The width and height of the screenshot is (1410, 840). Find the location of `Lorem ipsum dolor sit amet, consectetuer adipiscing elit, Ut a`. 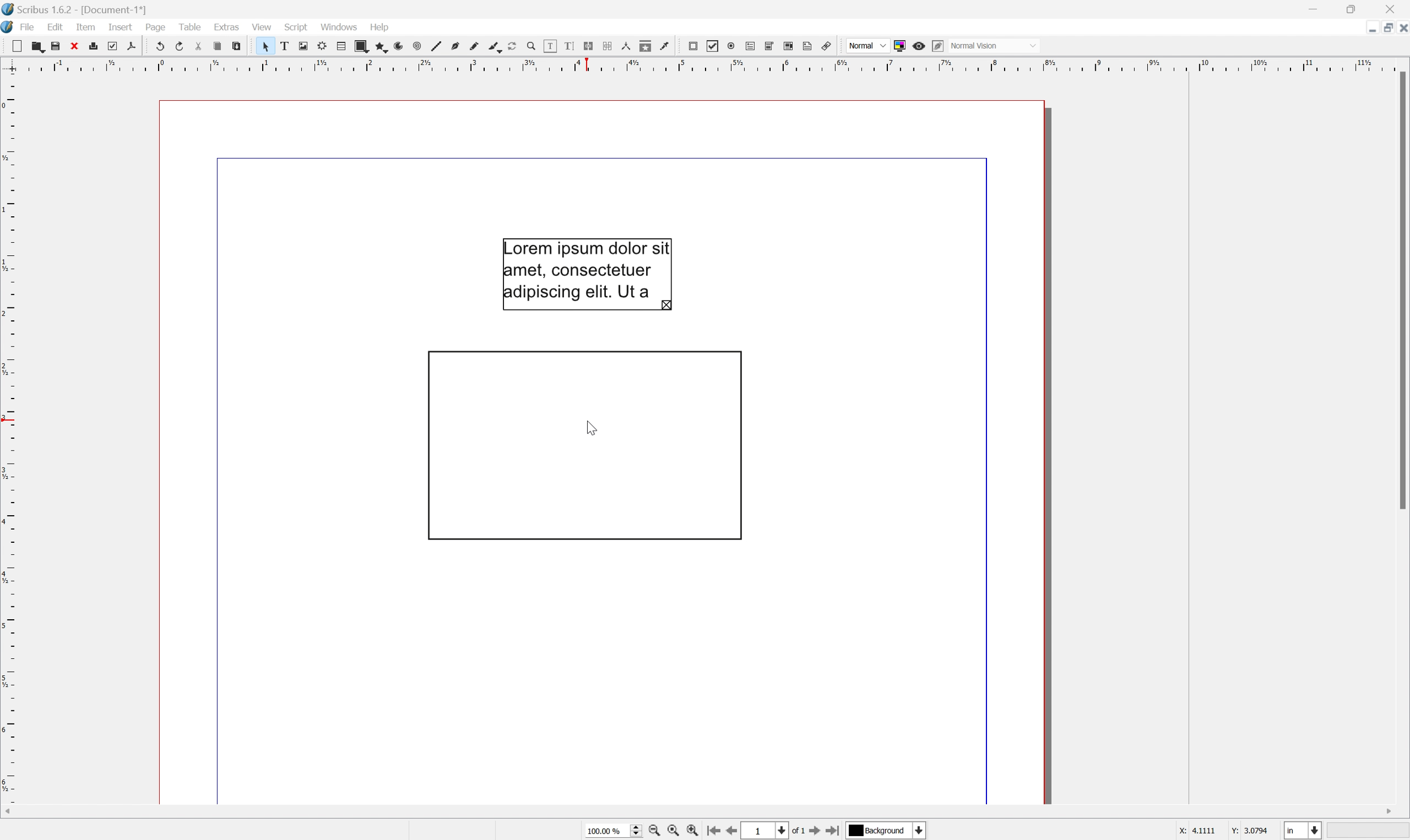

Lorem ipsum dolor sit amet, consectetuer adipiscing elit, Ut a is located at coordinates (587, 273).